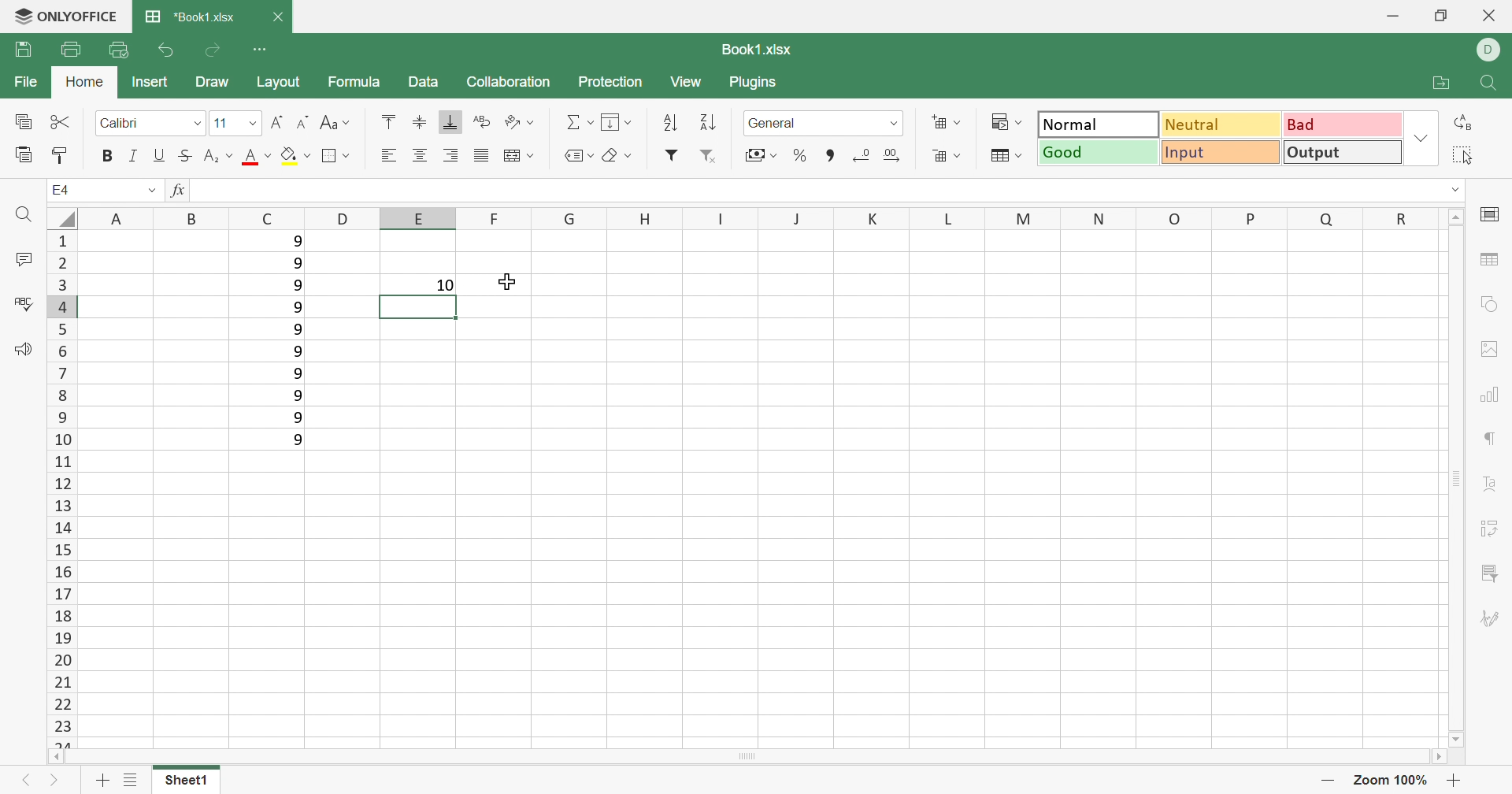  Describe the element at coordinates (303, 121) in the screenshot. I see `Decrement font size` at that location.